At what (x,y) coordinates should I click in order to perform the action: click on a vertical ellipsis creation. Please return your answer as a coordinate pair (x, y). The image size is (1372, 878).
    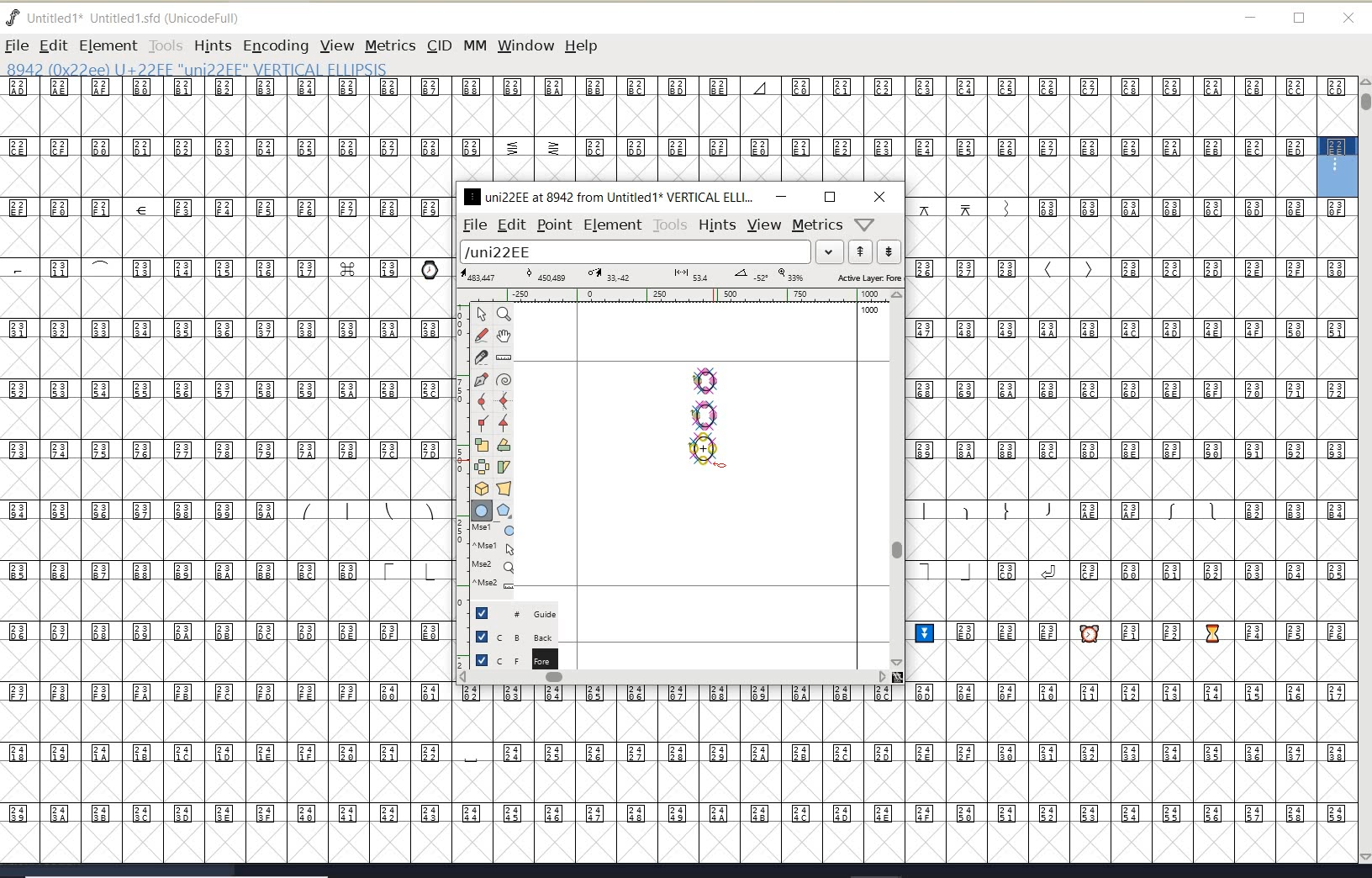
    Looking at the image, I should click on (707, 378).